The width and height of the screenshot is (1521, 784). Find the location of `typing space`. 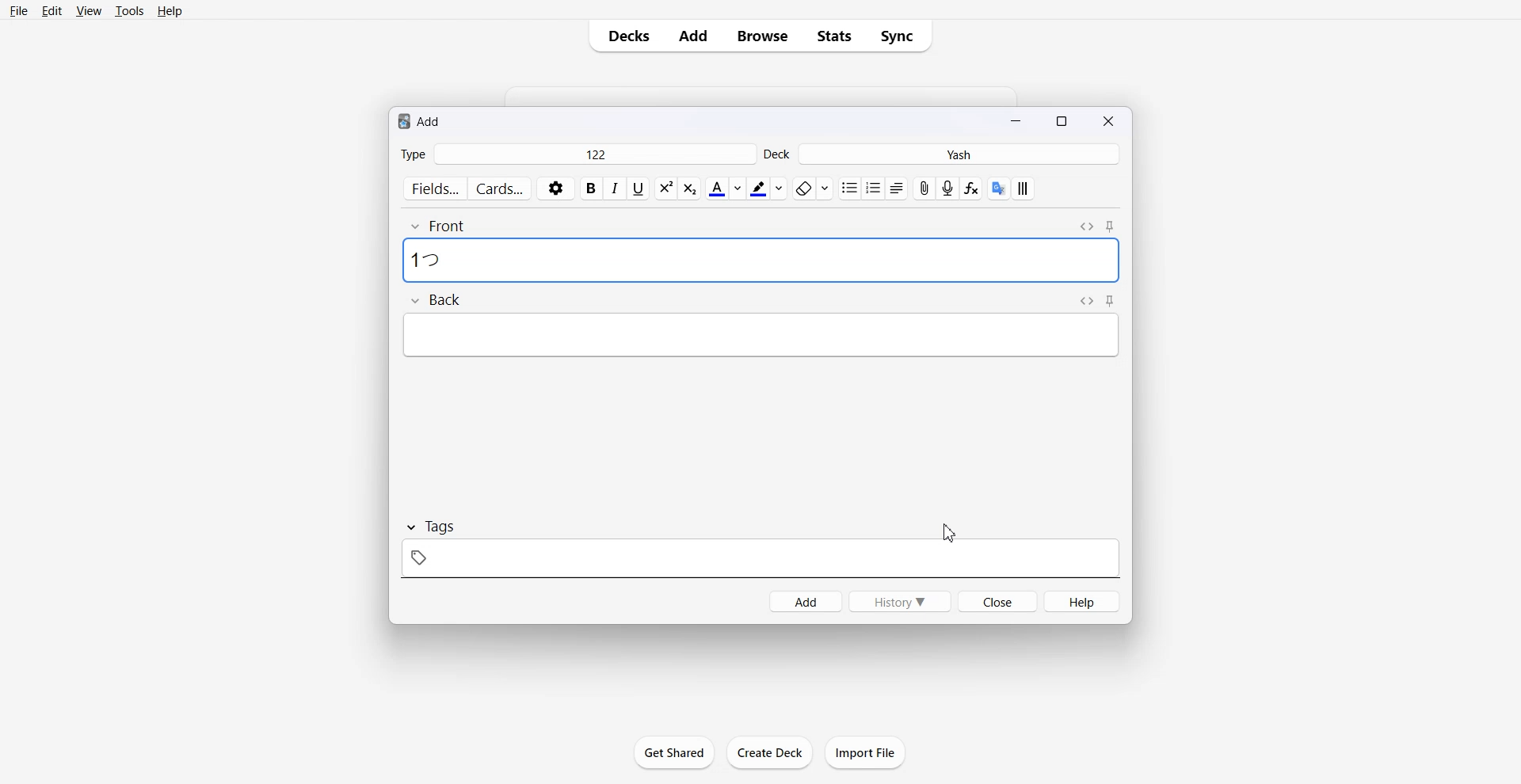

typing space is located at coordinates (760, 261).